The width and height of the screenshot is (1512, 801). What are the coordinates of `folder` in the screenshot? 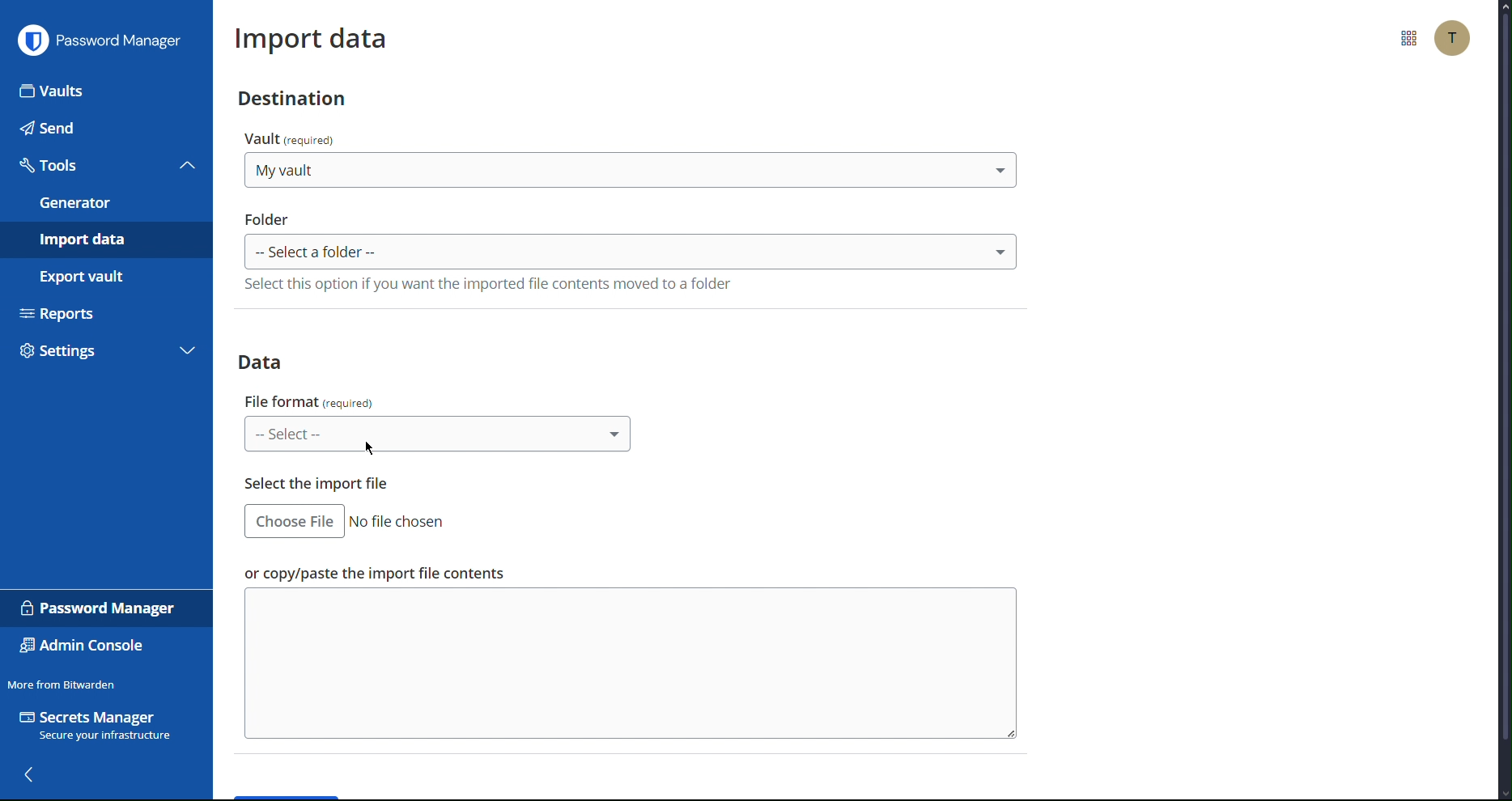 It's located at (268, 218).